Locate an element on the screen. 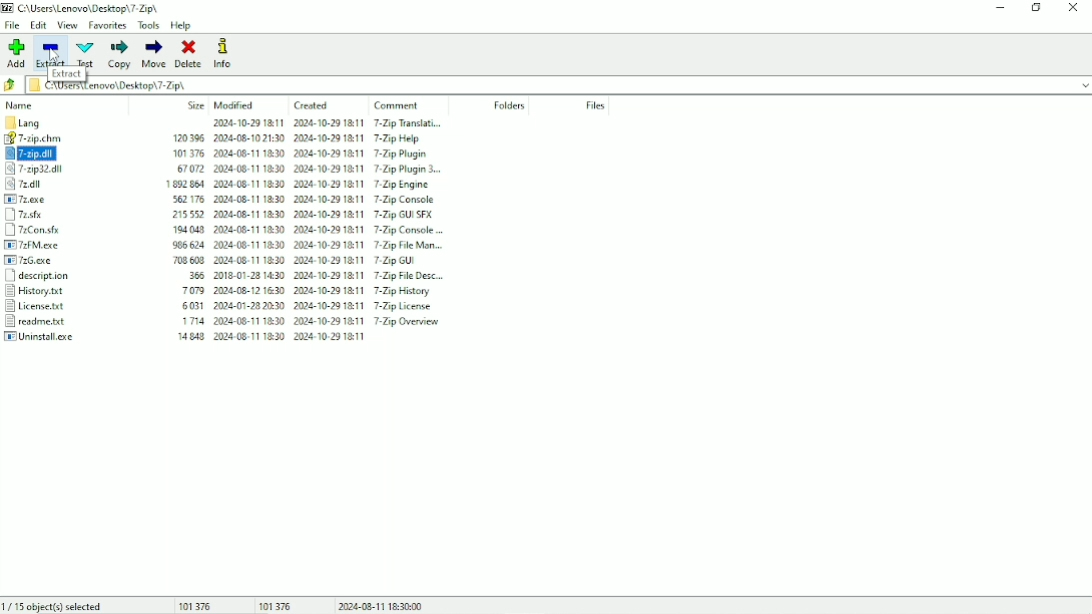 This screenshot has width=1092, height=614. Copy is located at coordinates (119, 54).